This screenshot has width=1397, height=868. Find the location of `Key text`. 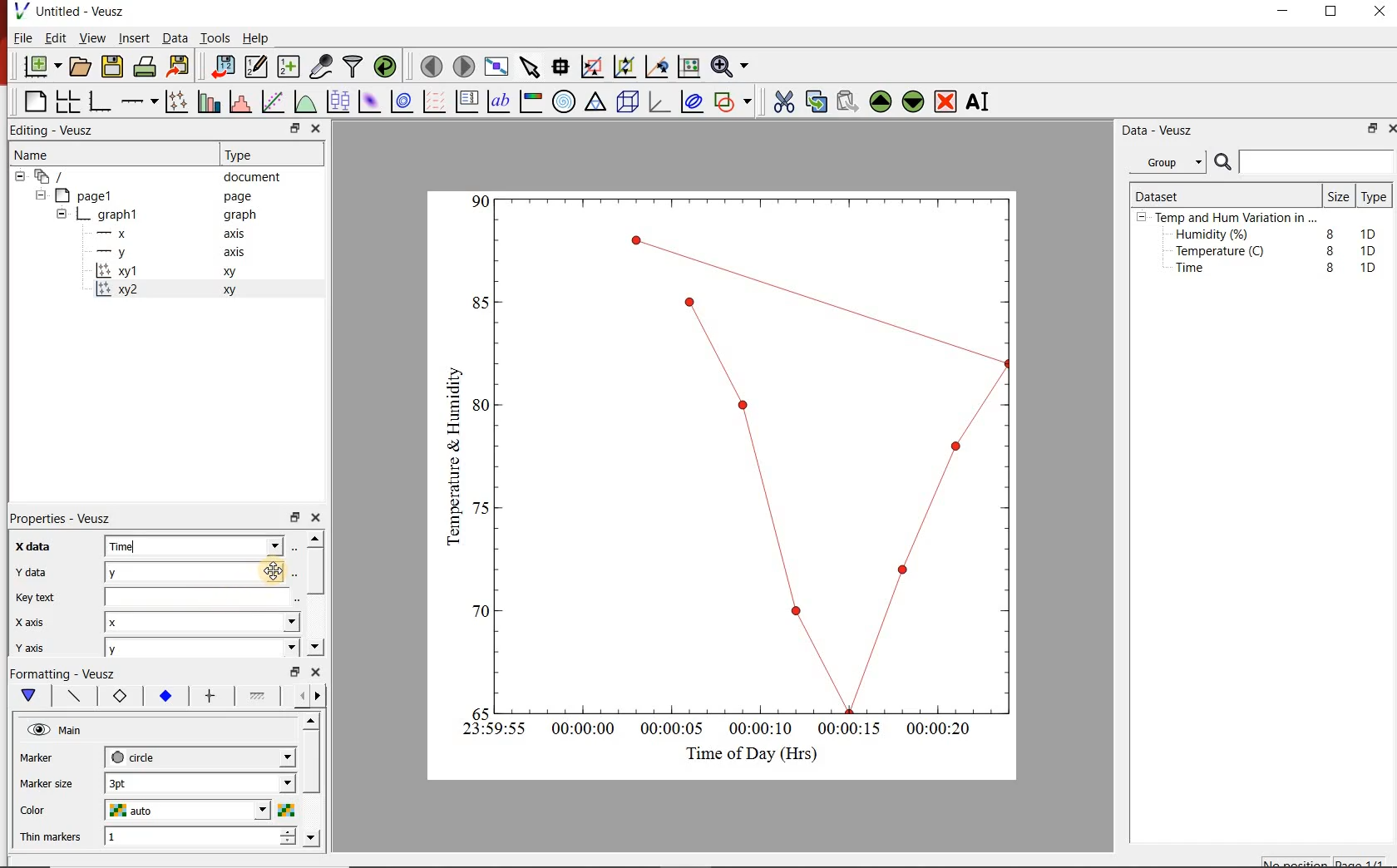

Key text is located at coordinates (144, 599).